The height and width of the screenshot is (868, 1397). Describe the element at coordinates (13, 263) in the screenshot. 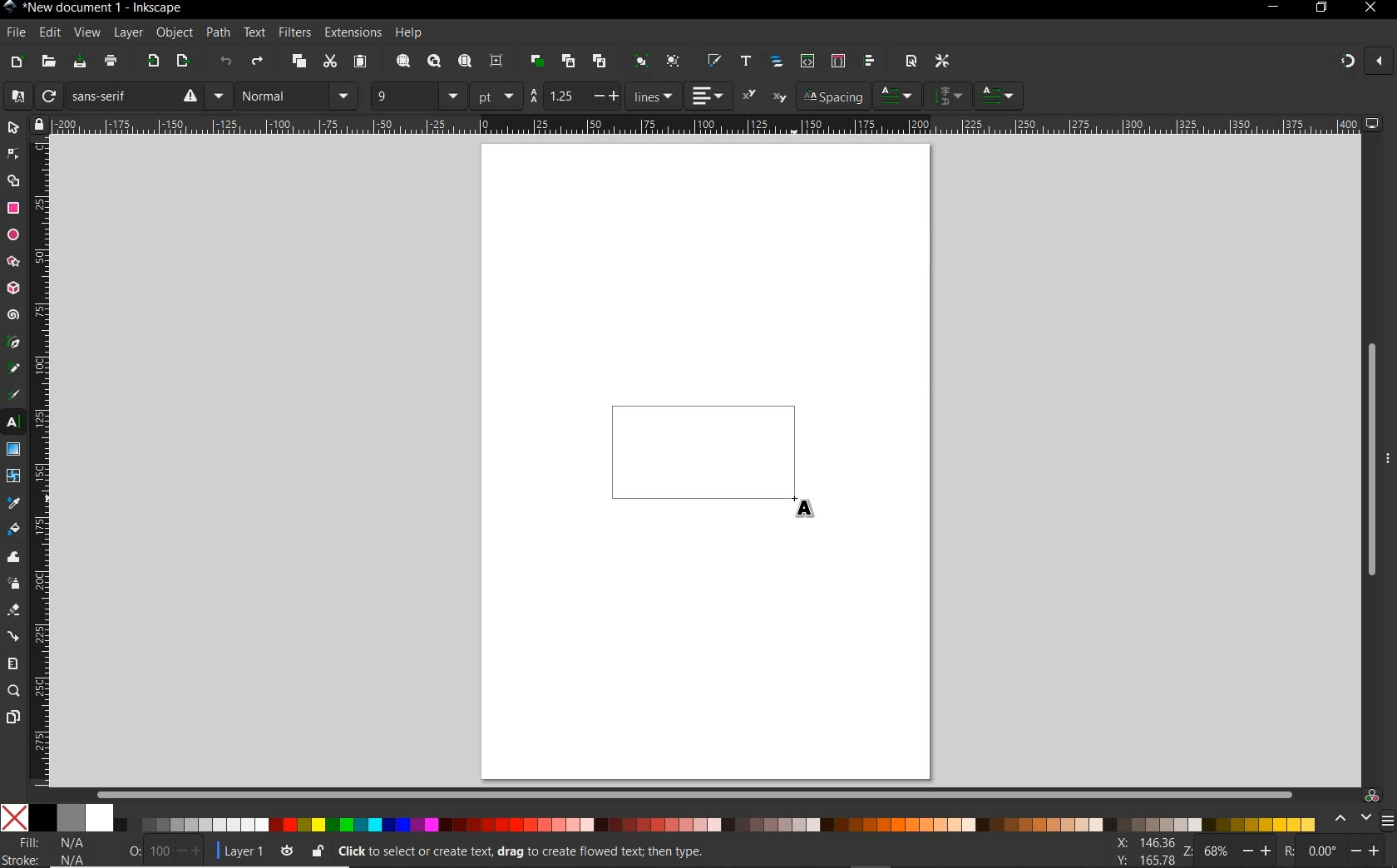

I see `star tool` at that location.